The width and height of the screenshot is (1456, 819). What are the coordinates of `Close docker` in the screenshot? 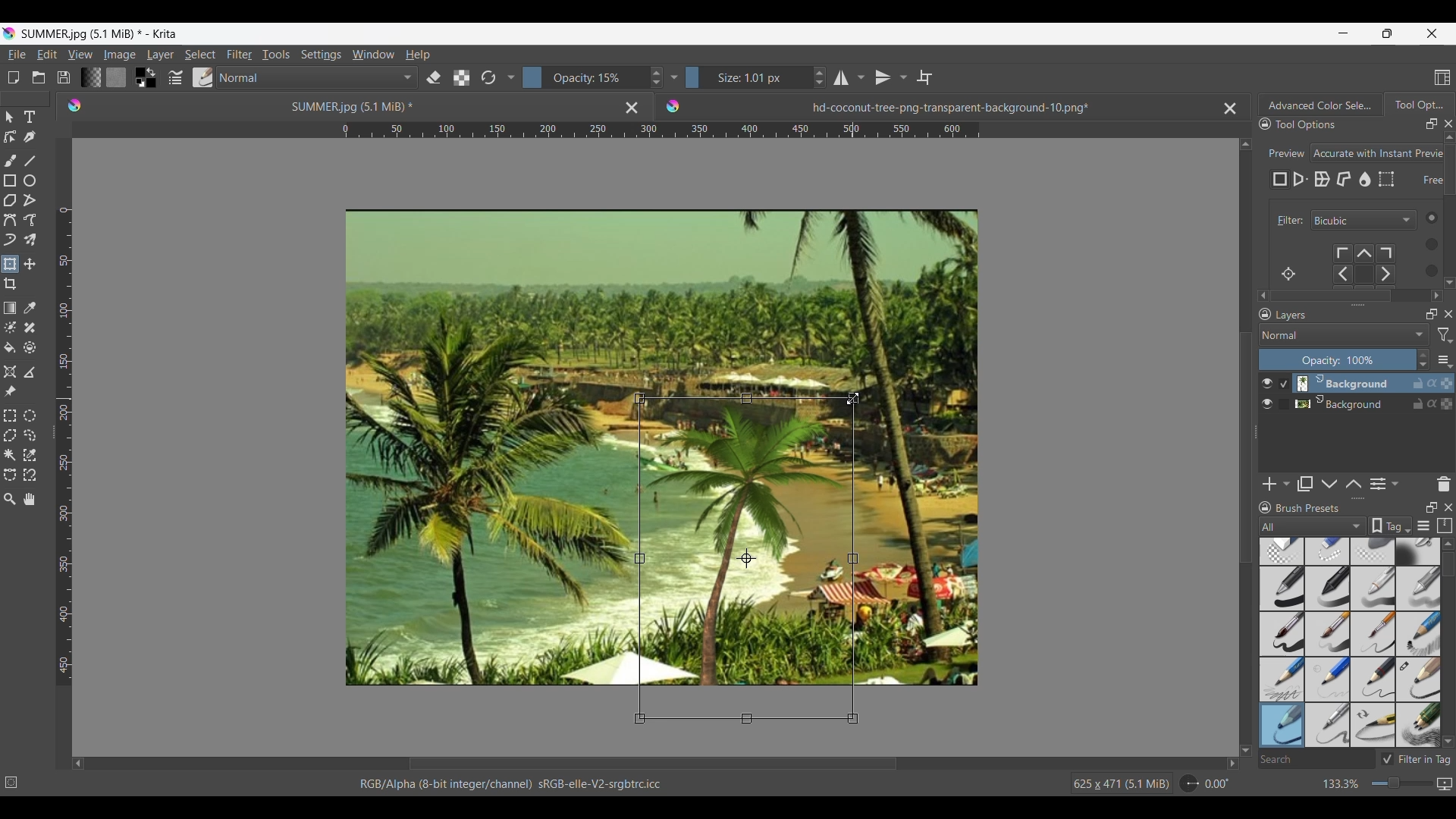 It's located at (1448, 124).